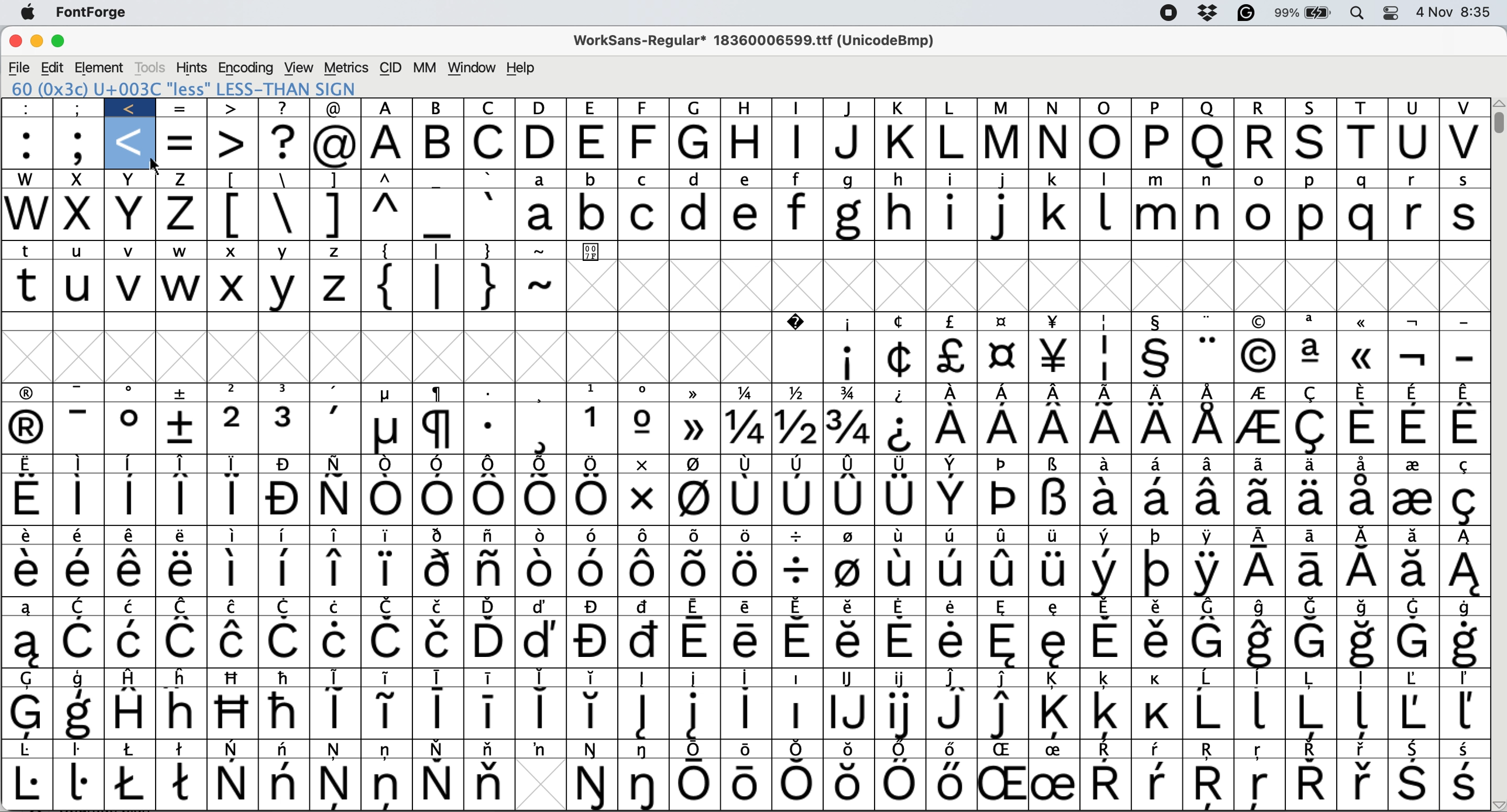 Image resolution: width=1507 pixels, height=812 pixels. What do you see at coordinates (131, 642) in the screenshot?
I see `Symbol` at bounding box center [131, 642].